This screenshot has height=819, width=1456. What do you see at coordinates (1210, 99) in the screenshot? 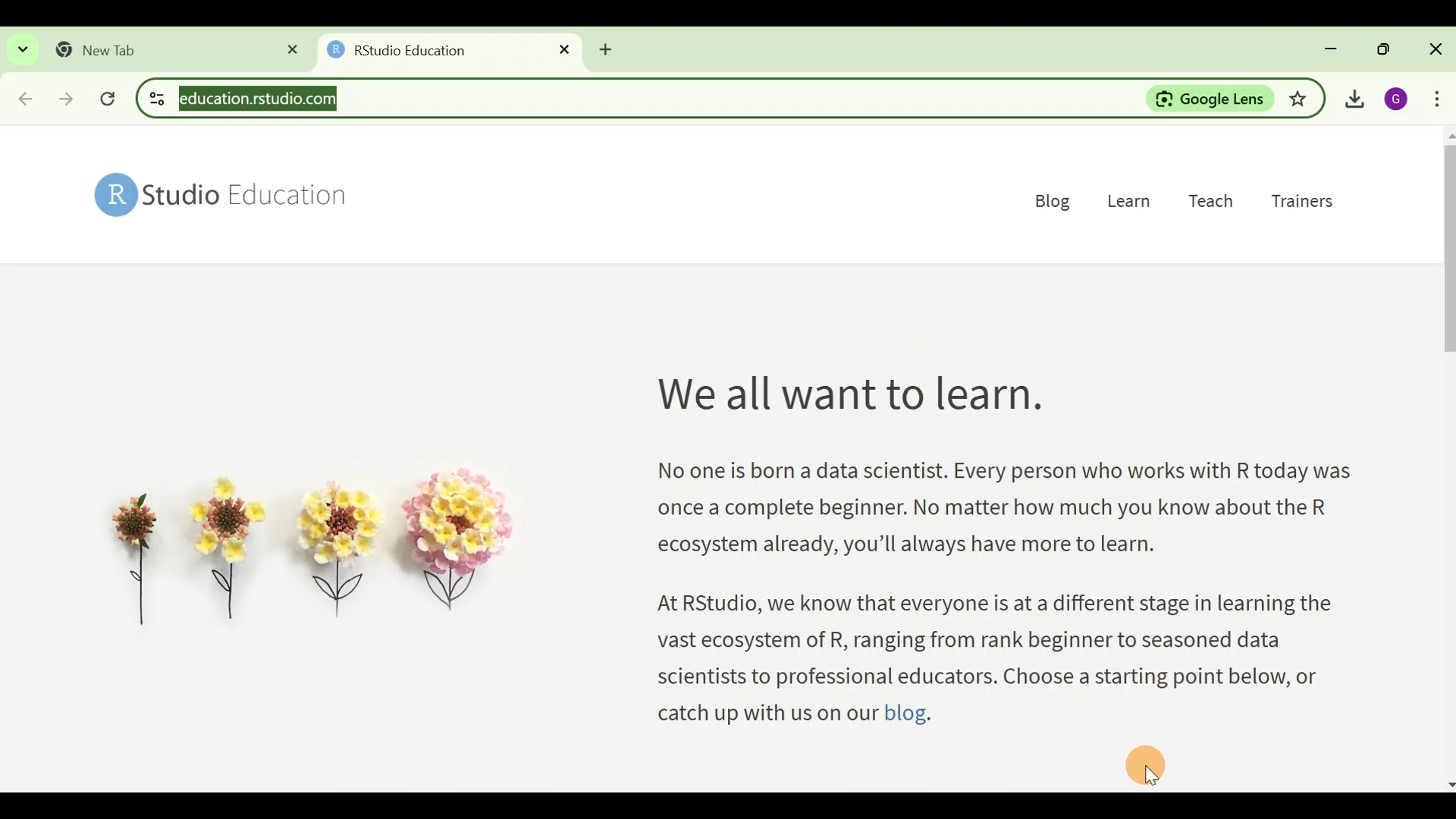
I see `Google Lens` at bounding box center [1210, 99].